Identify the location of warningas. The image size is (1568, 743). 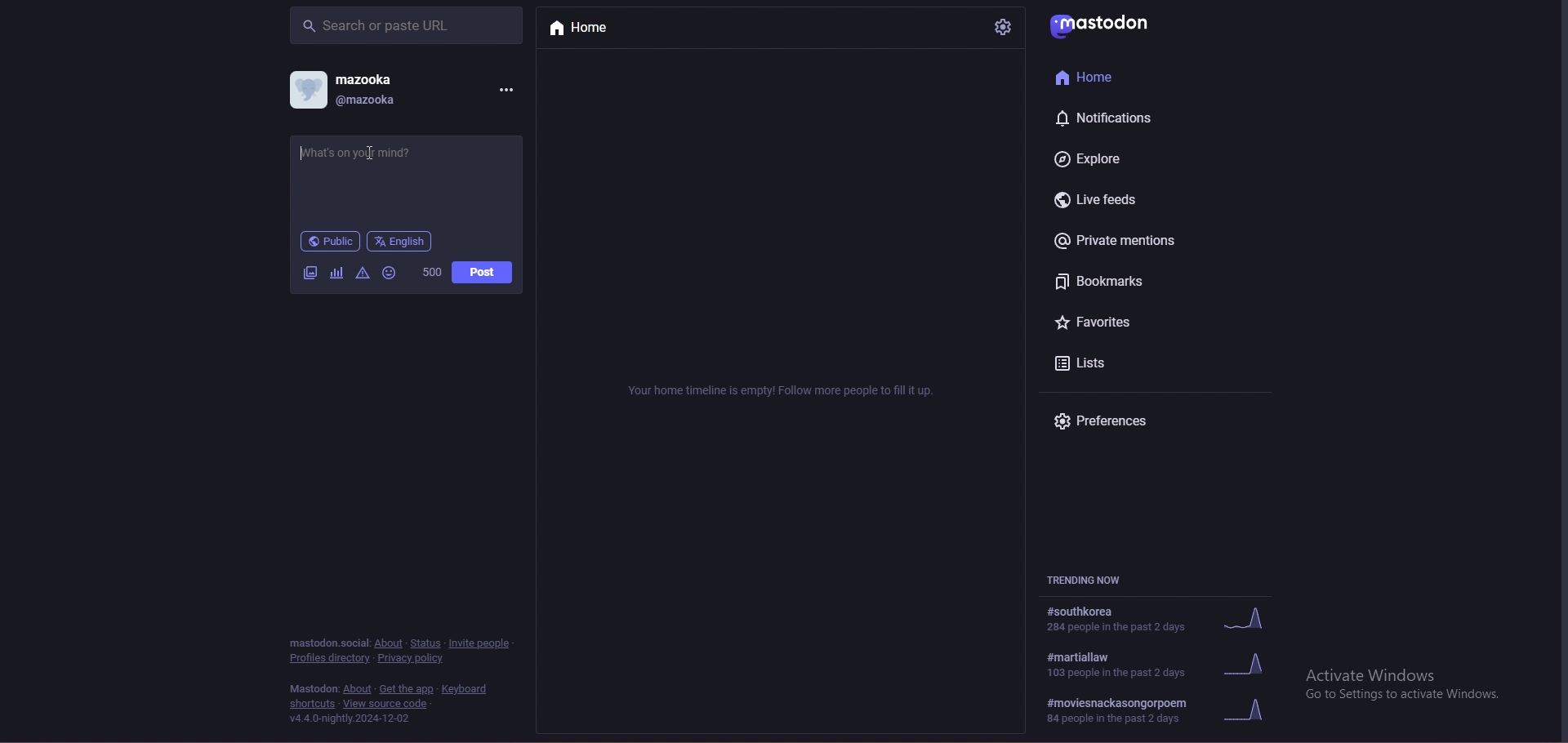
(363, 274).